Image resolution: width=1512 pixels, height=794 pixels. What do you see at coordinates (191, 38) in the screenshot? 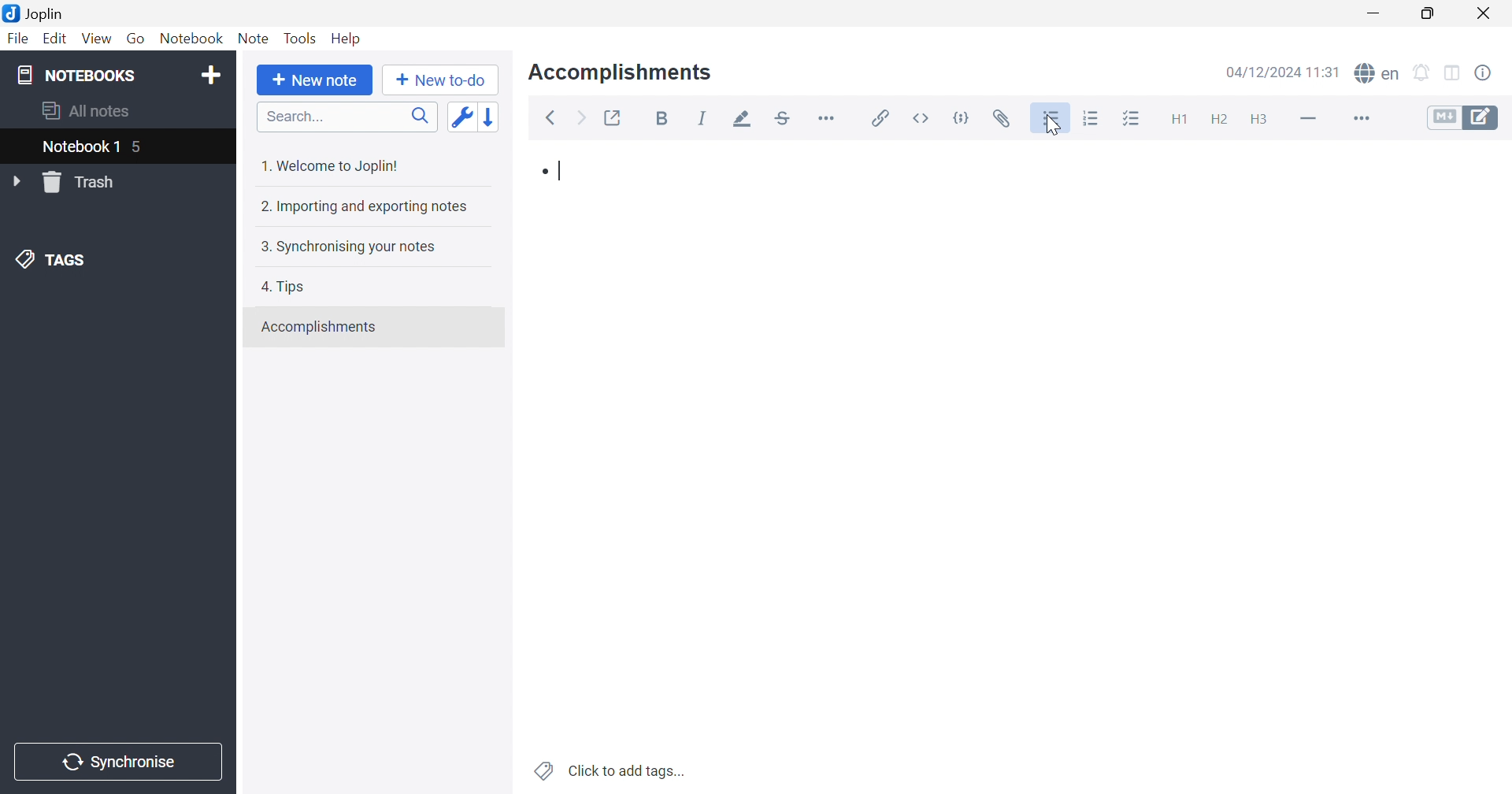
I see `Notebook` at bounding box center [191, 38].